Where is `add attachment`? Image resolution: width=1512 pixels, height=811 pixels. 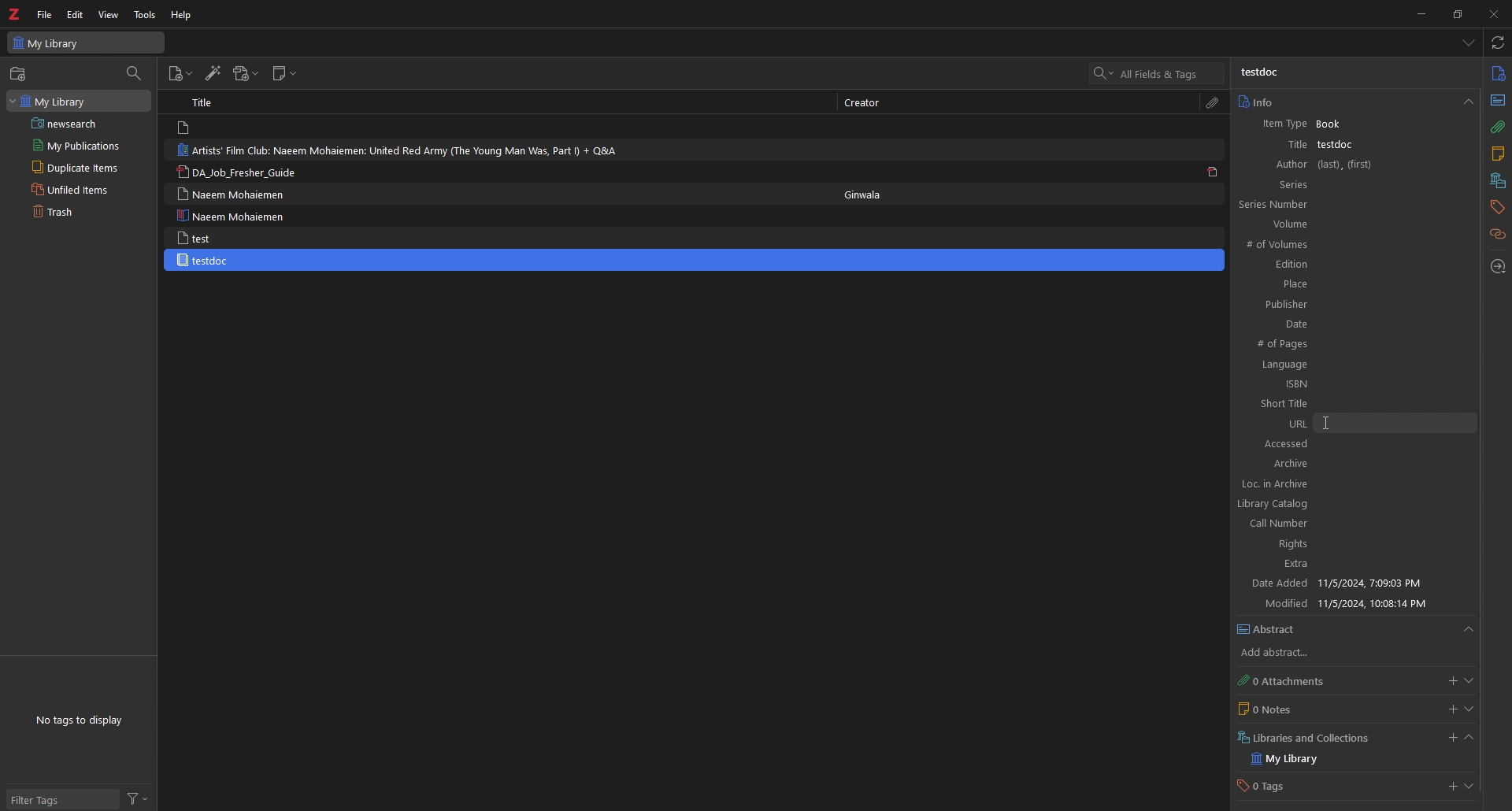 add attachment is located at coordinates (246, 73).